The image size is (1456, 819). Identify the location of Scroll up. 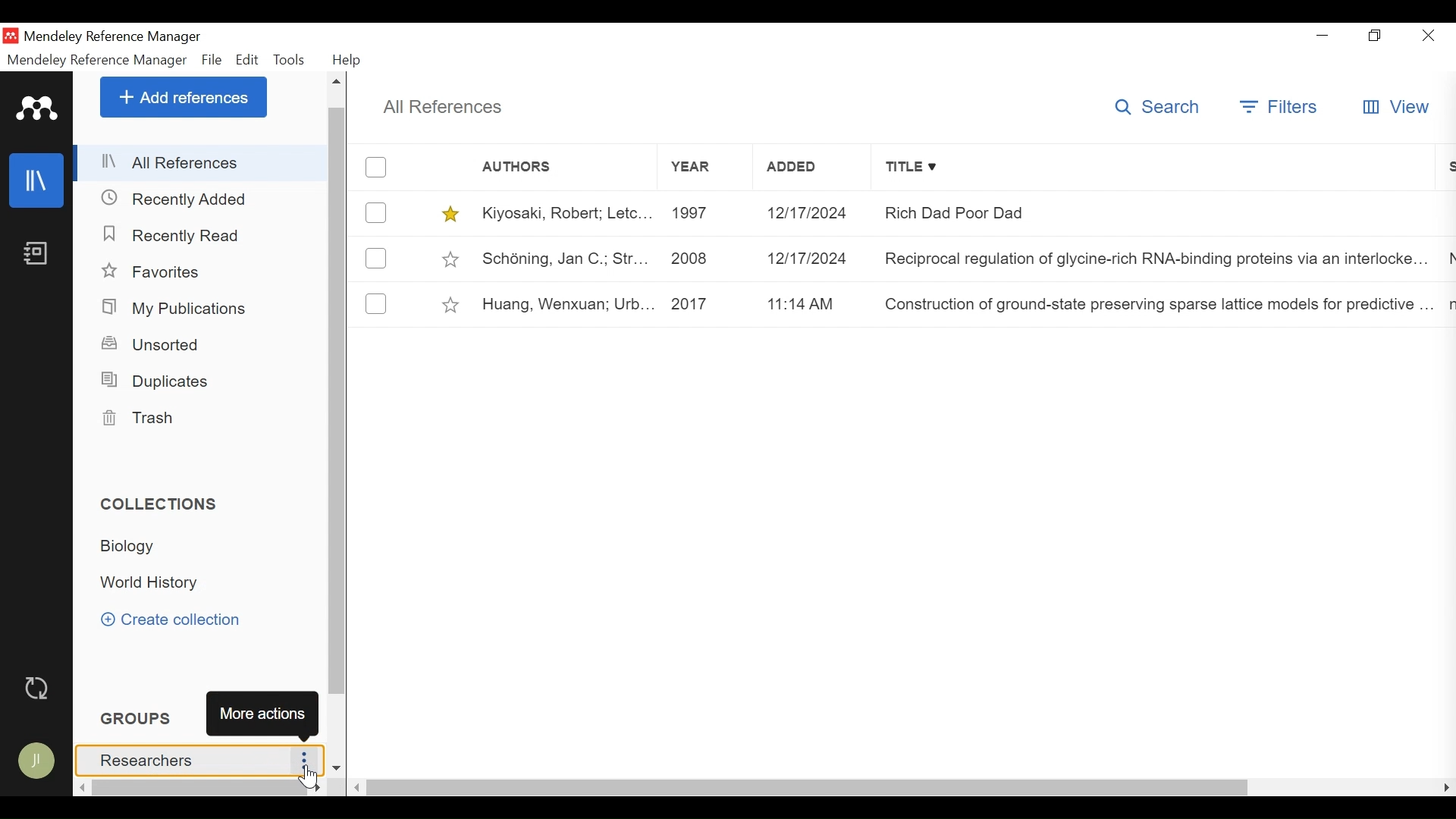
(338, 81).